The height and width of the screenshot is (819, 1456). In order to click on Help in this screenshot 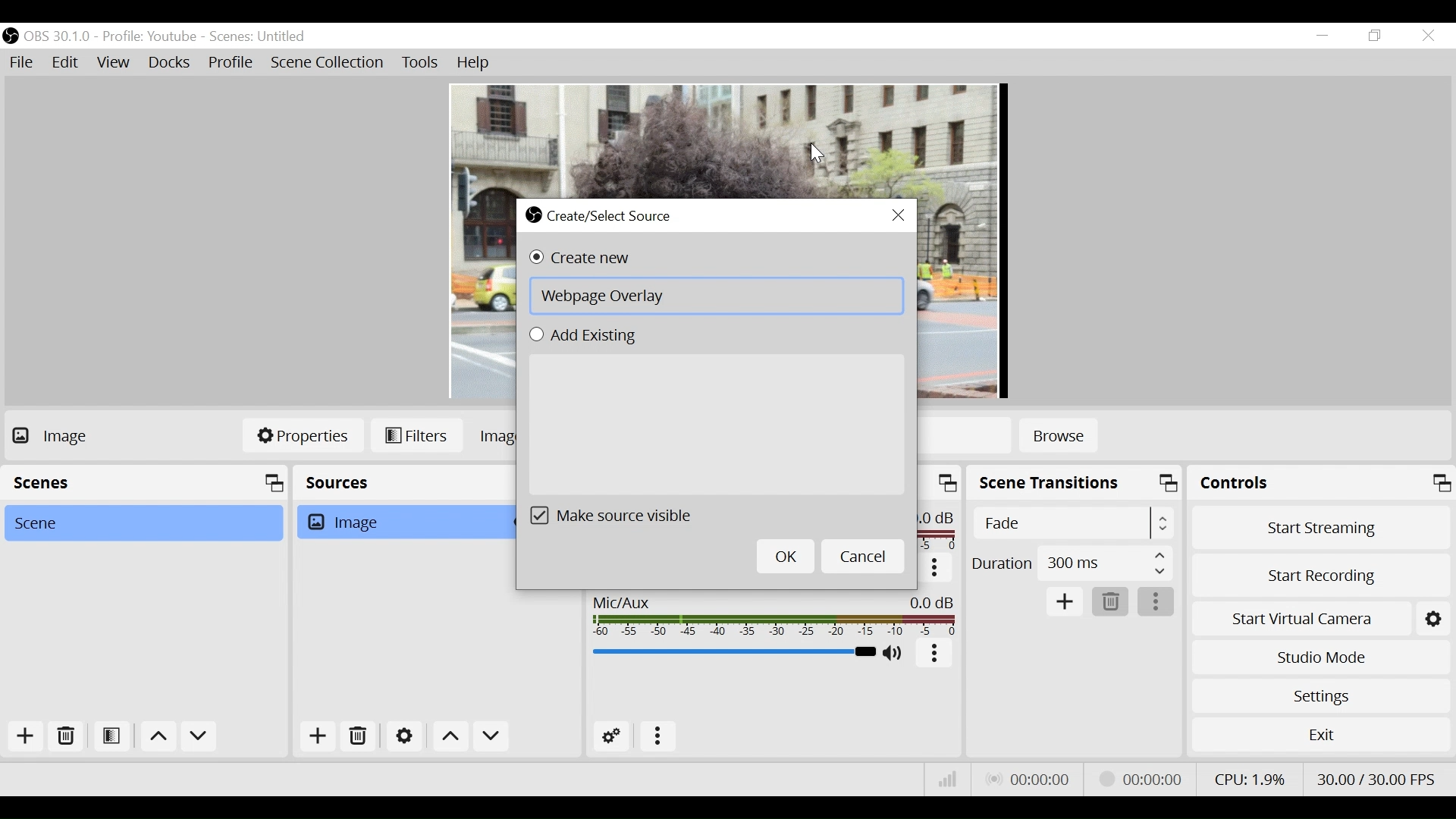, I will do `click(474, 63)`.